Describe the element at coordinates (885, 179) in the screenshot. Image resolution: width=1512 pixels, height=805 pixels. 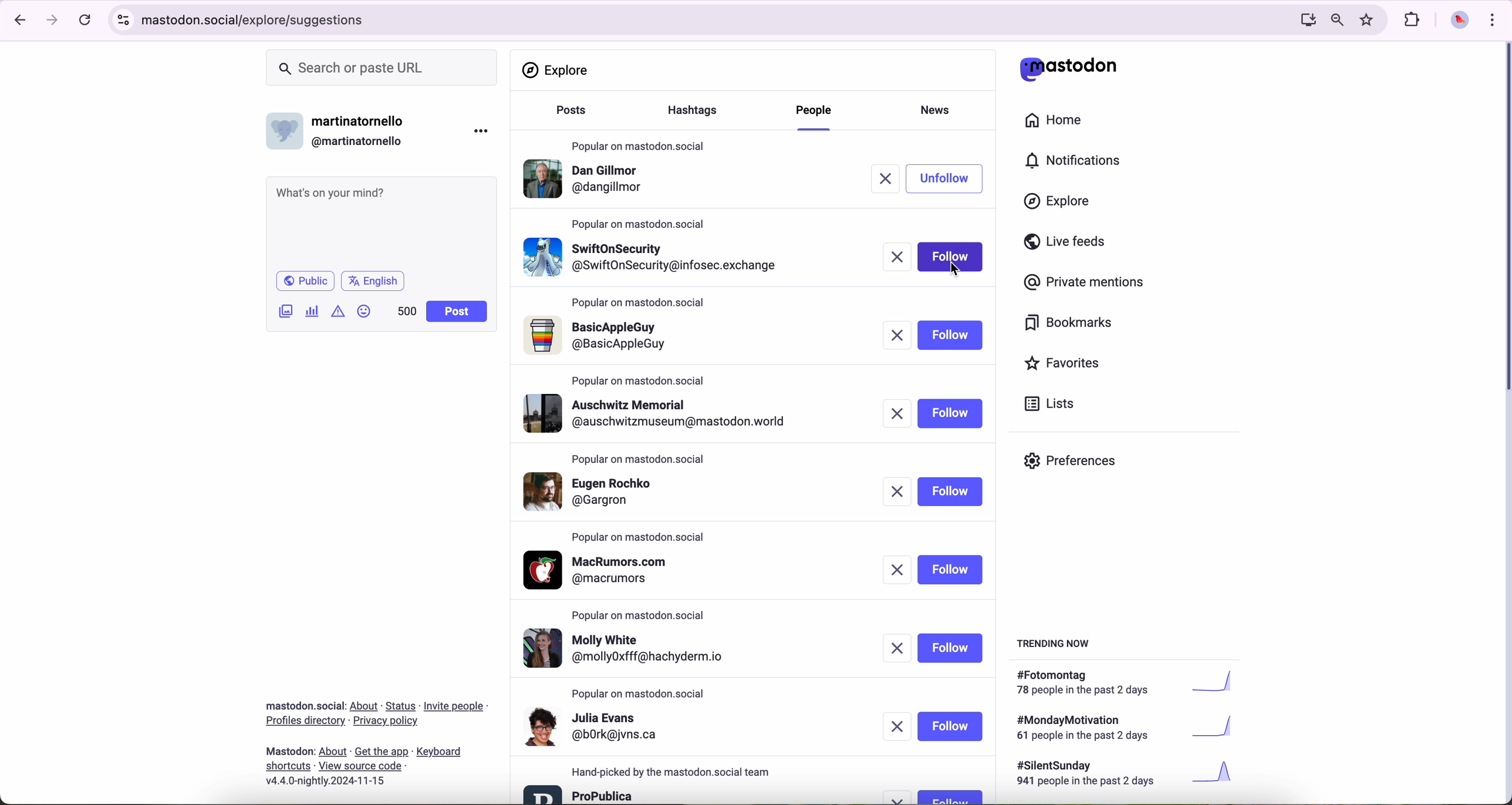
I see `remove` at that location.